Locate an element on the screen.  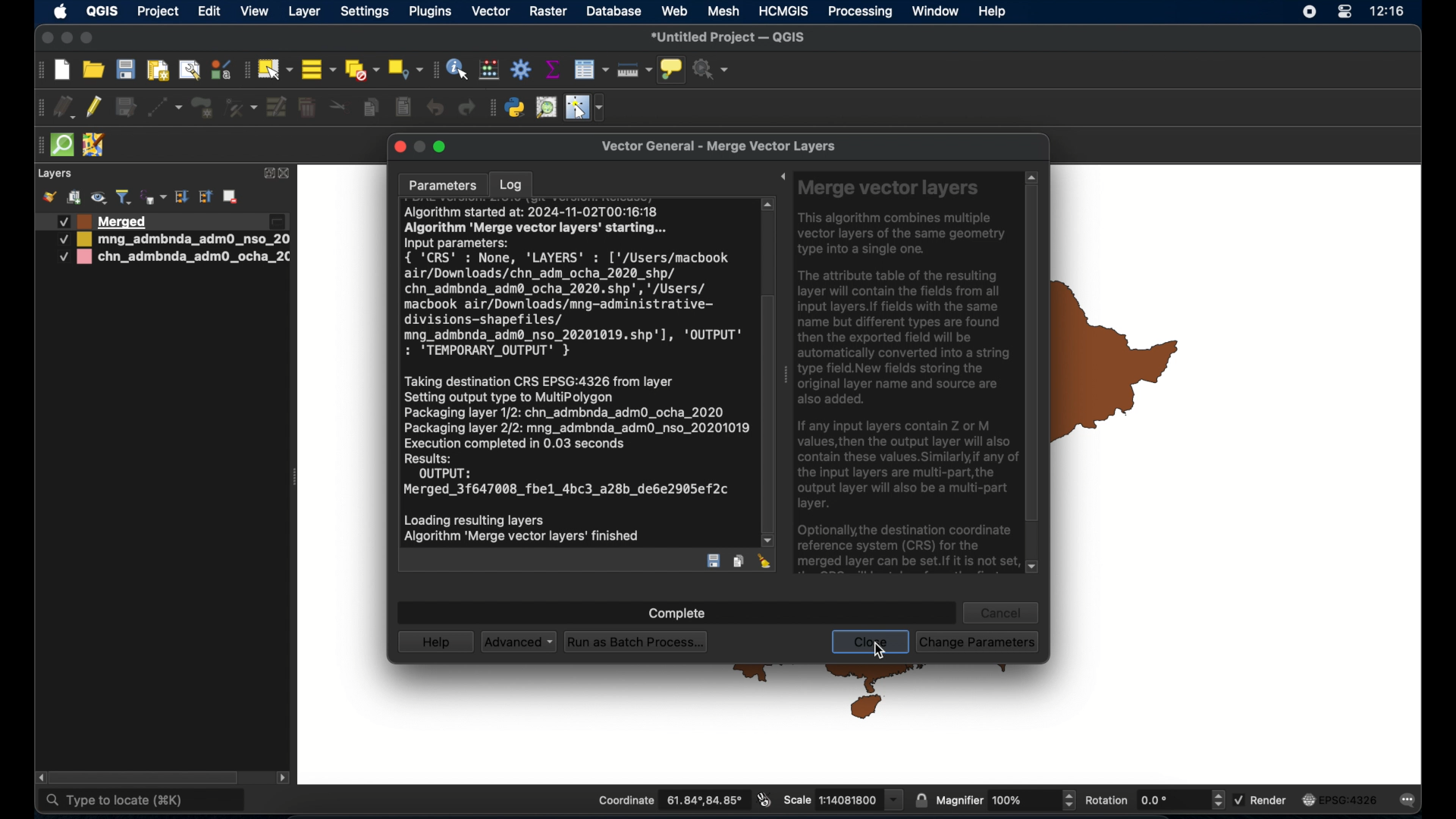
maximize is located at coordinates (87, 39).